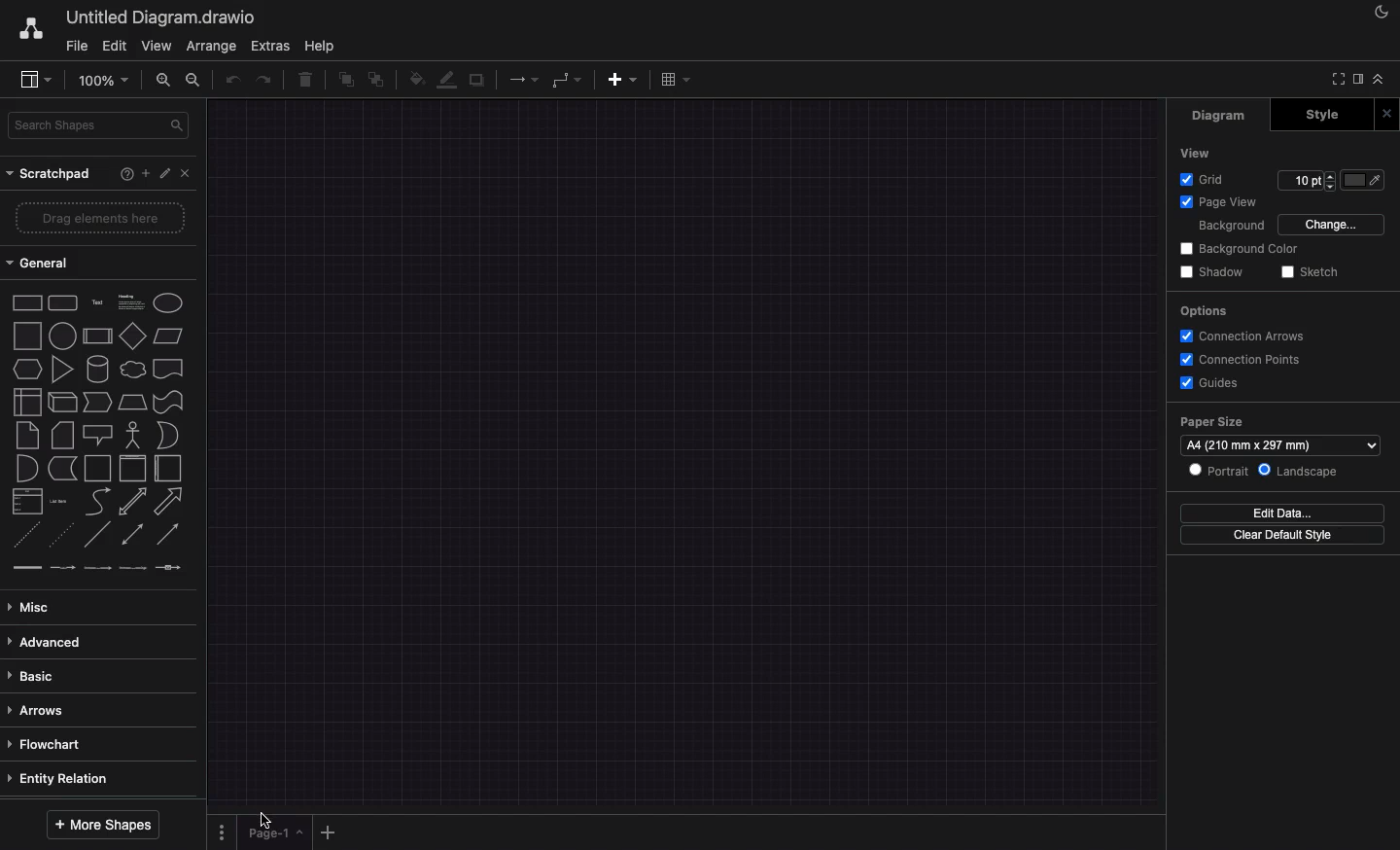 The width and height of the screenshot is (1400, 850). I want to click on tape, so click(169, 402).